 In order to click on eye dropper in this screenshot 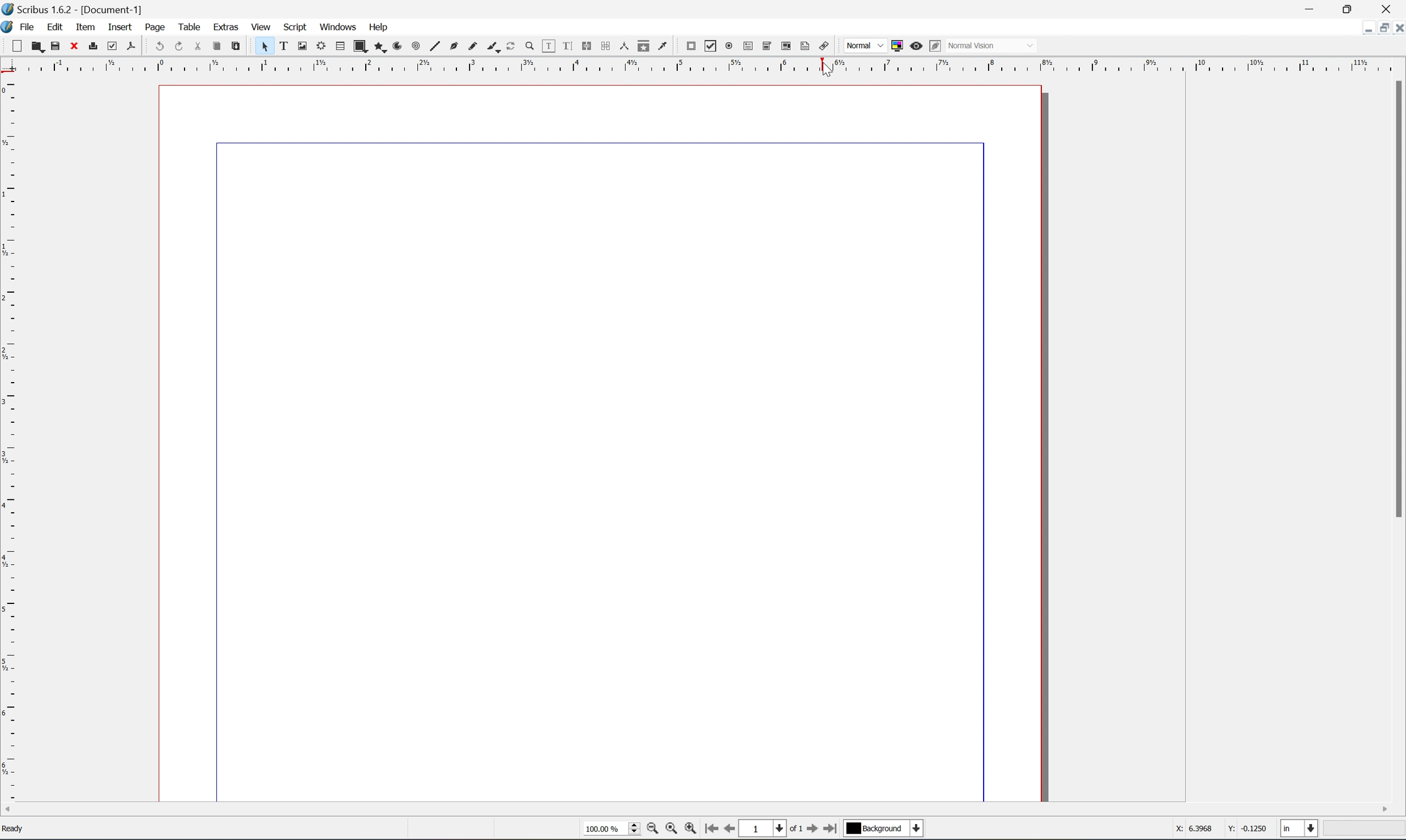, I will do `click(665, 46)`.